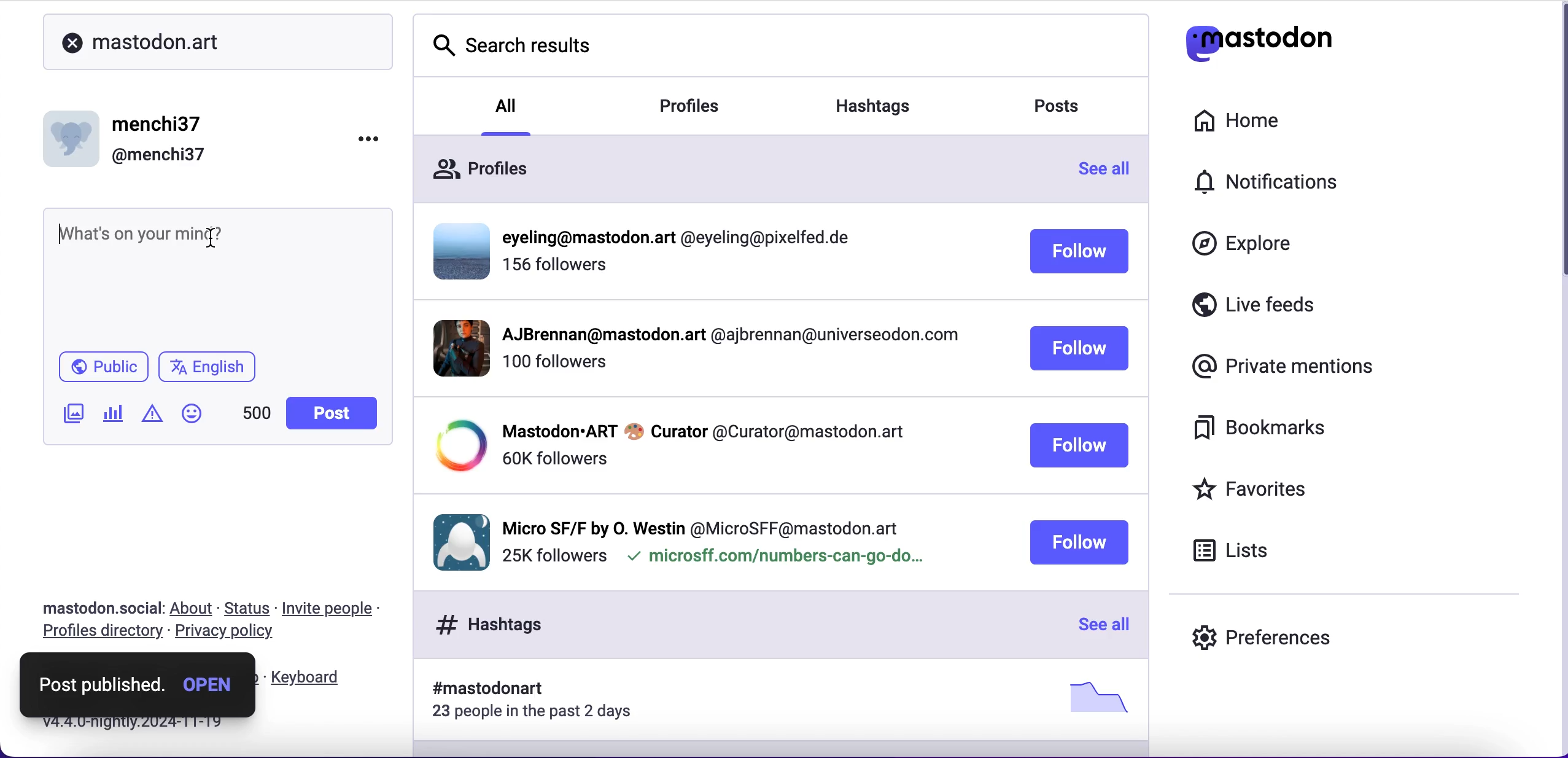  What do you see at coordinates (1264, 39) in the screenshot?
I see `mastodon logo` at bounding box center [1264, 39].